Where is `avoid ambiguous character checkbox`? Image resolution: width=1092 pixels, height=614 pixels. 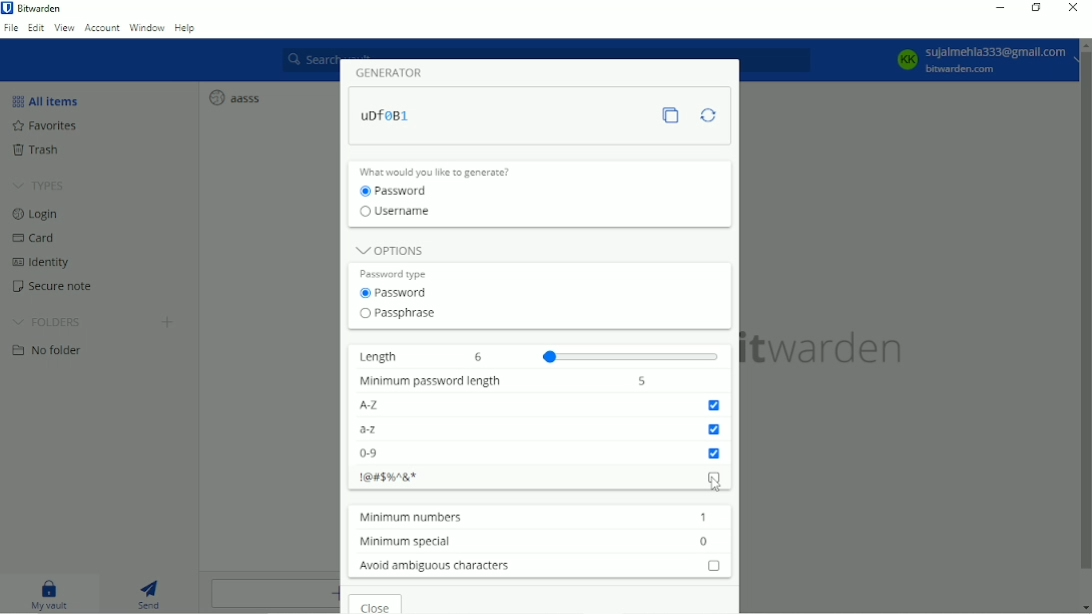 avoid ambiguous character checkbox is located at coordinates (712, 566).